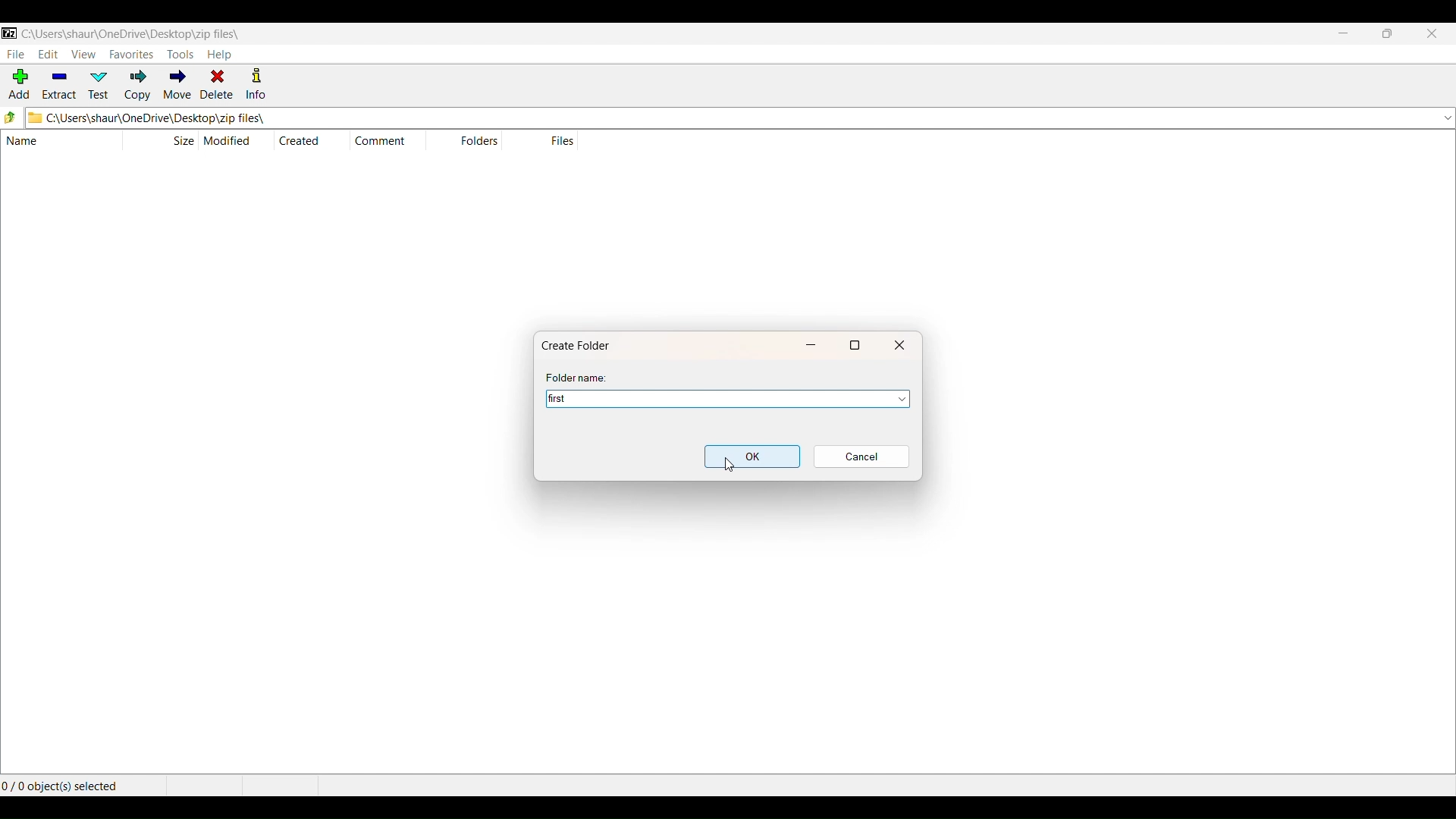 Image resolution: width=1456 pixels, height=819 pixels. What do you see at coordinates (17, 86) in the screenshot?
I see `ADD` at bounding box center [17, 86].